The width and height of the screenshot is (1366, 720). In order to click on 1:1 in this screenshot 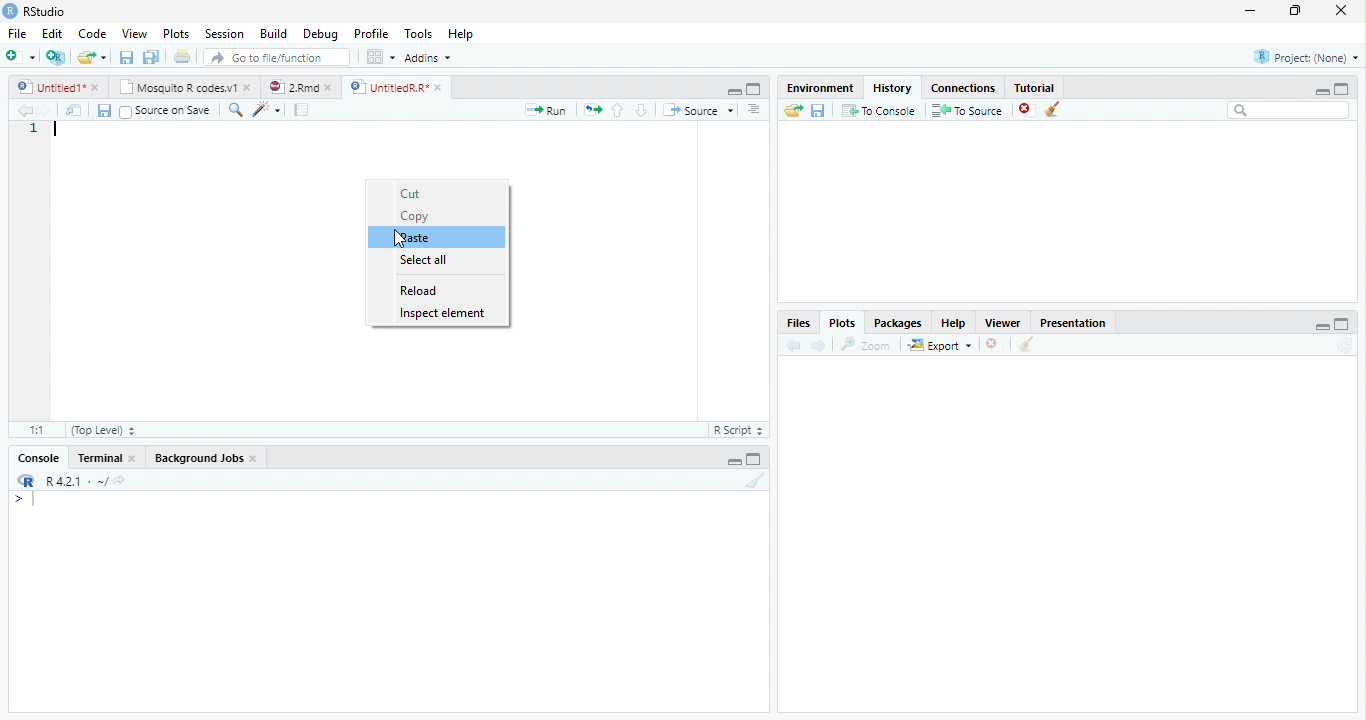, I will do `click(33, 430)`.